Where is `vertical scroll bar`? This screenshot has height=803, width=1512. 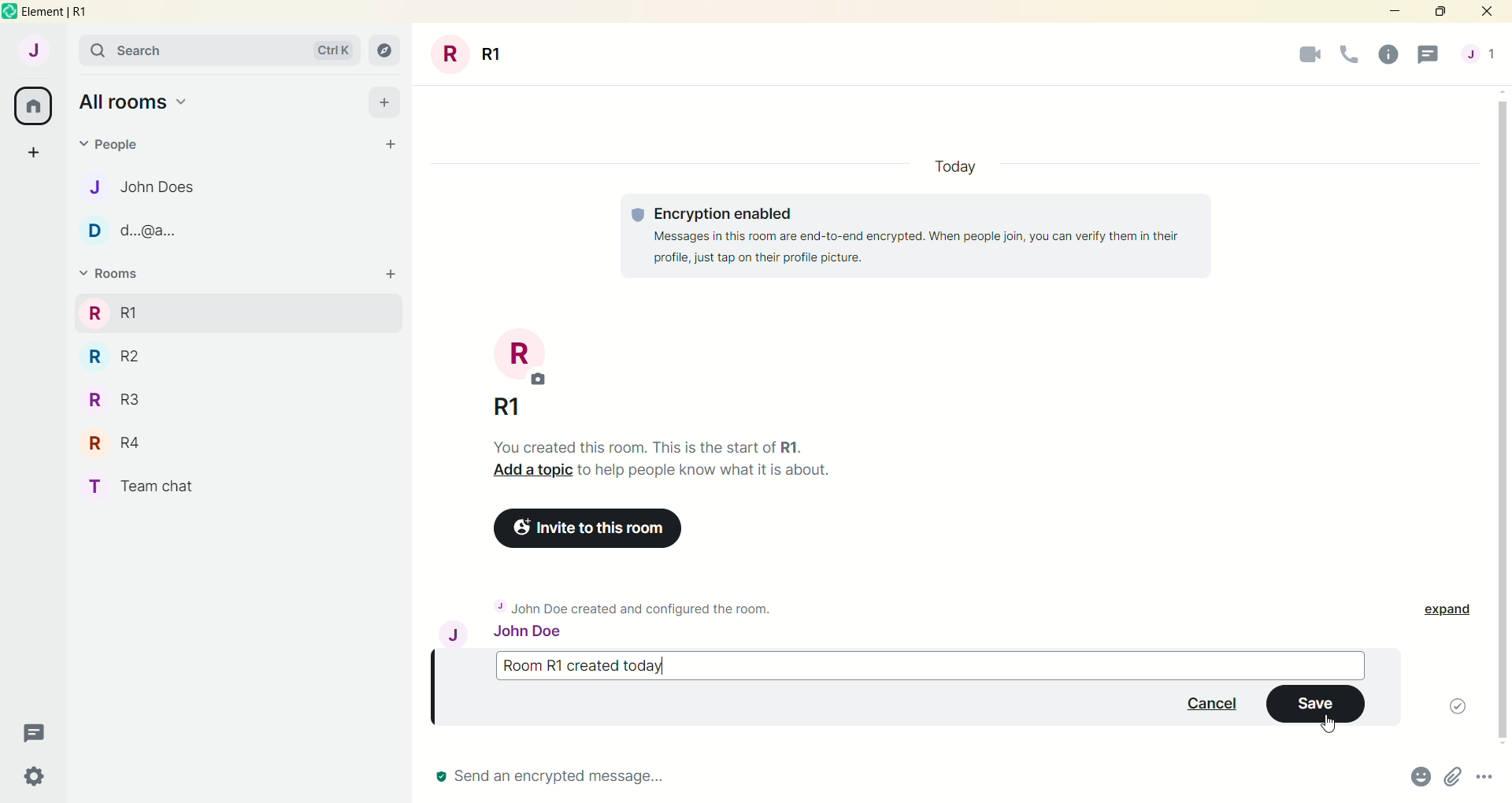
vertical scroll bar is located at coordinates (1503, 417).